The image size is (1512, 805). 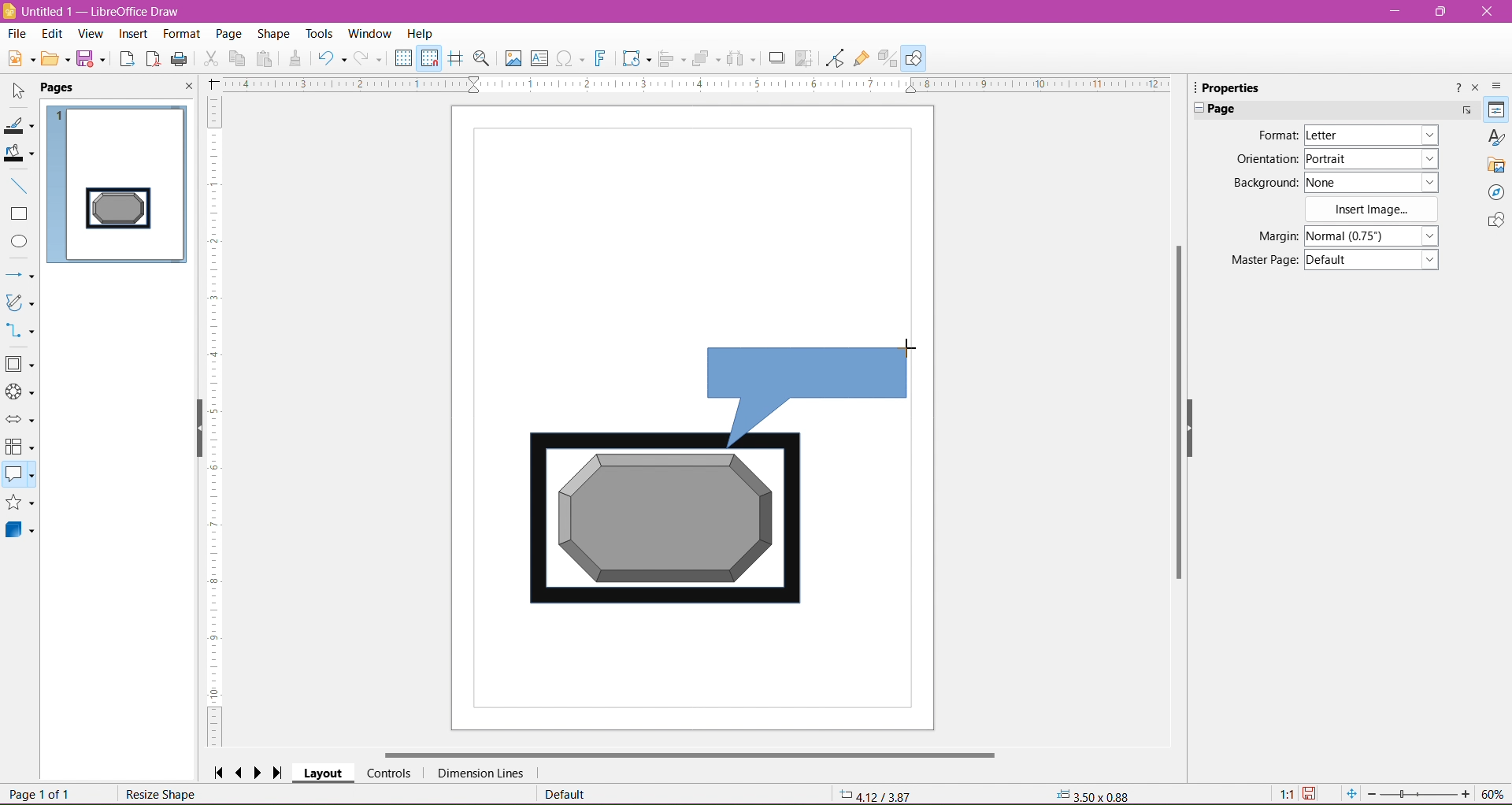 I want to click on Paste, so click(x=267, y=58).